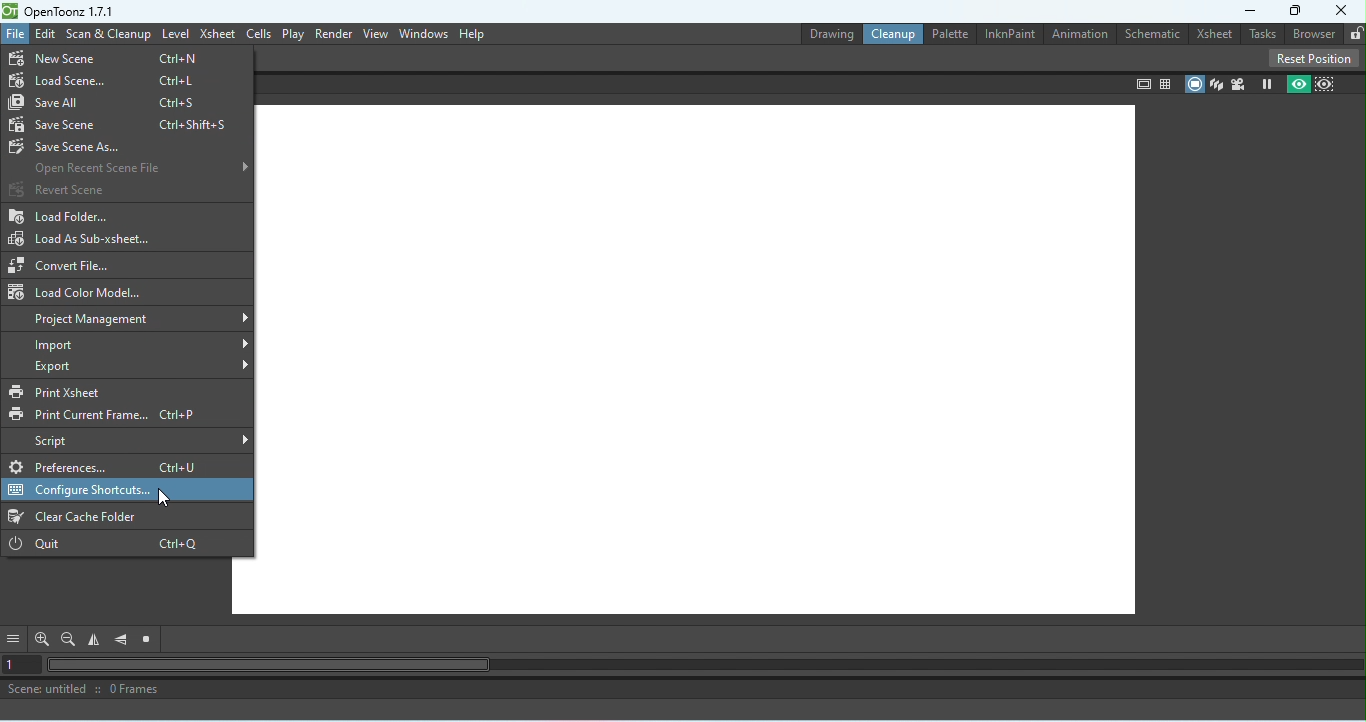 This screenshot has width=1366, height=722. What do you see at coordinates (139, 317) in the screenshot?
I see `Project management` at bounding box center [139, 317].